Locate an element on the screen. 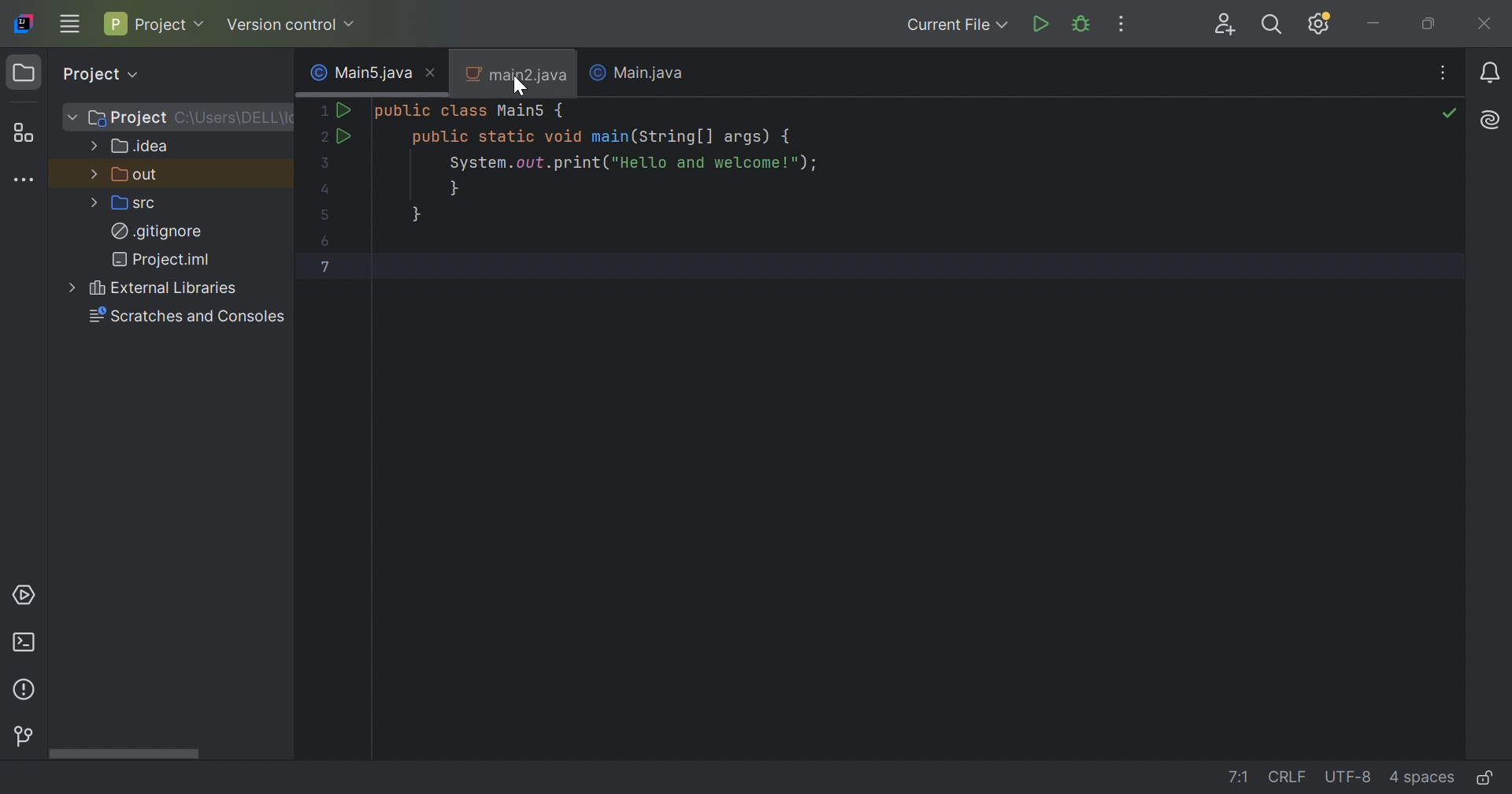  Cursor on main2.java is located at coordinates (520, 86).